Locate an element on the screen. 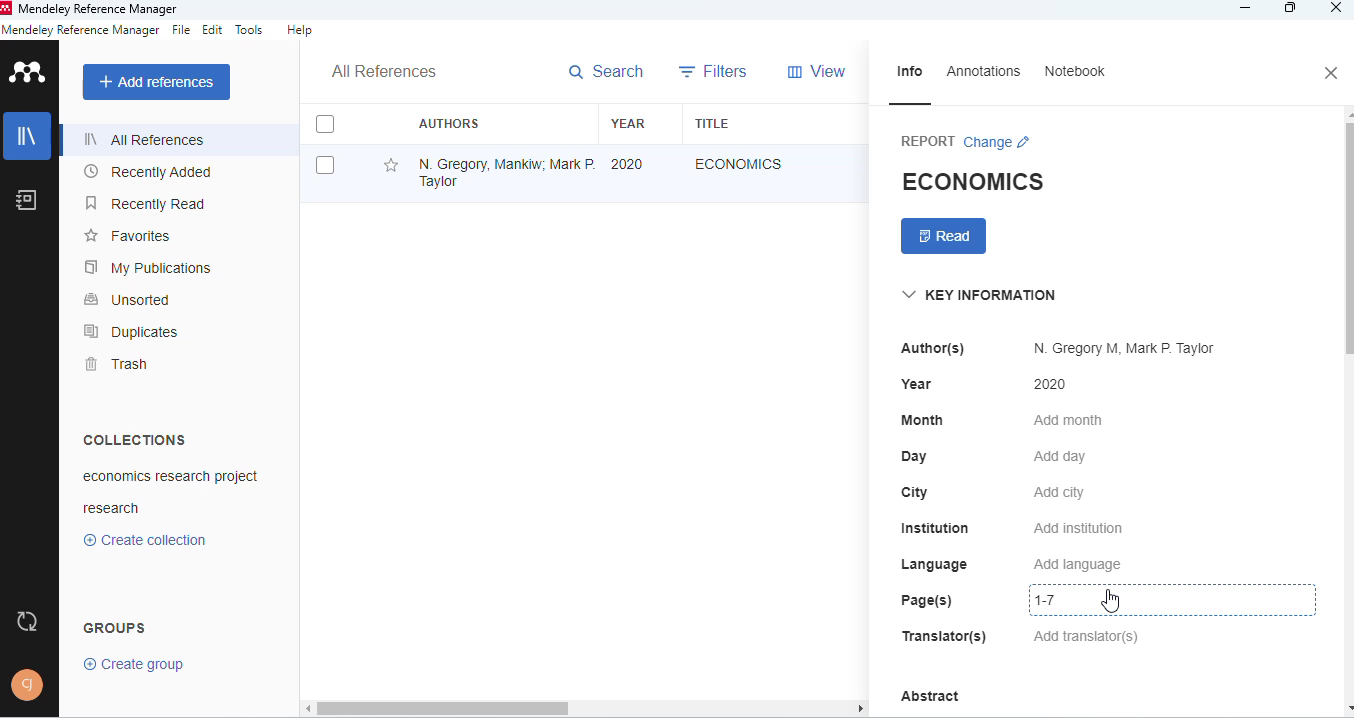 The height and width of the screenshot is (718, 1354). title is located at coordinates (713, 123).